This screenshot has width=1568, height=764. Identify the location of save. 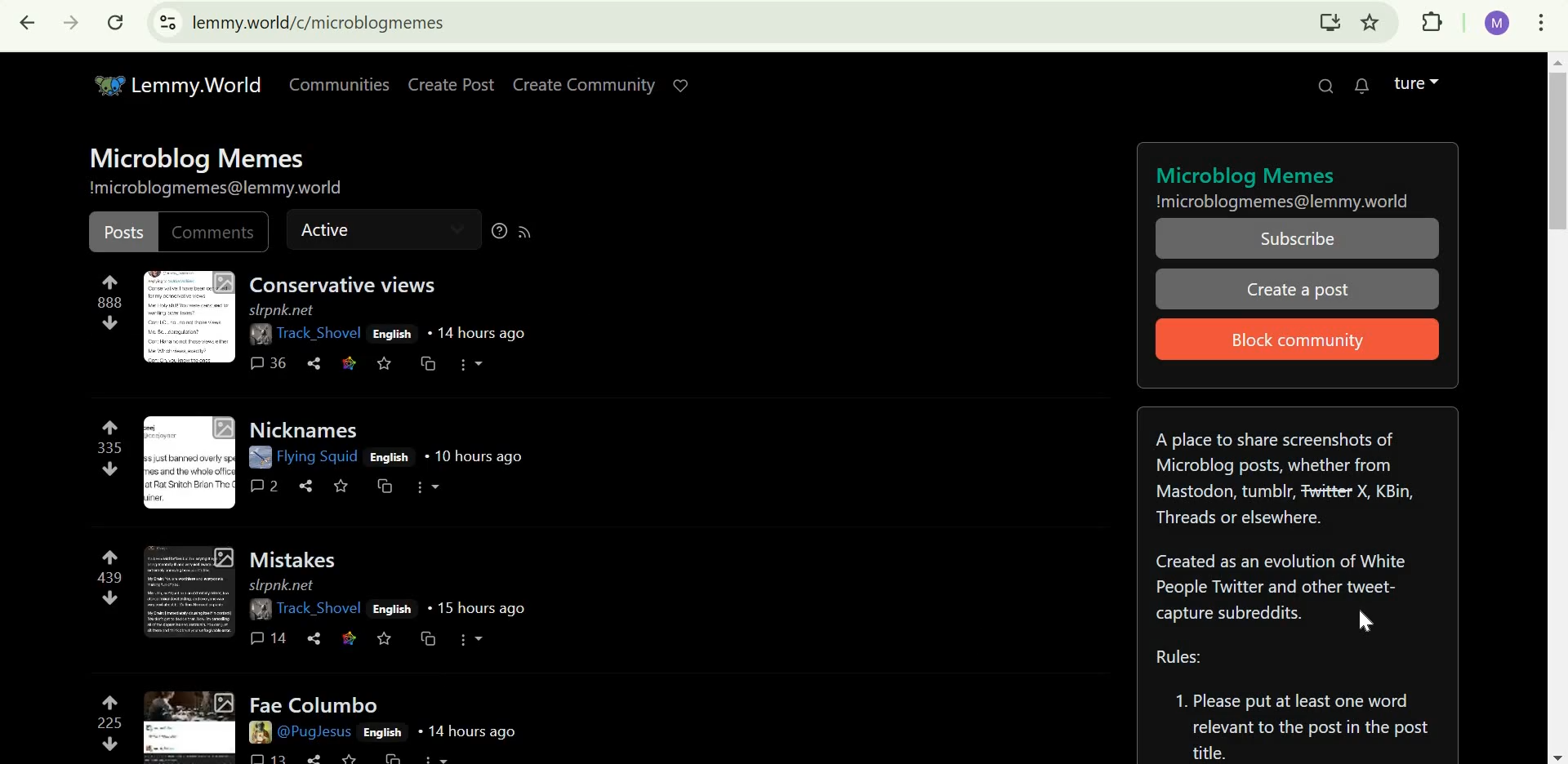
(385, 366).